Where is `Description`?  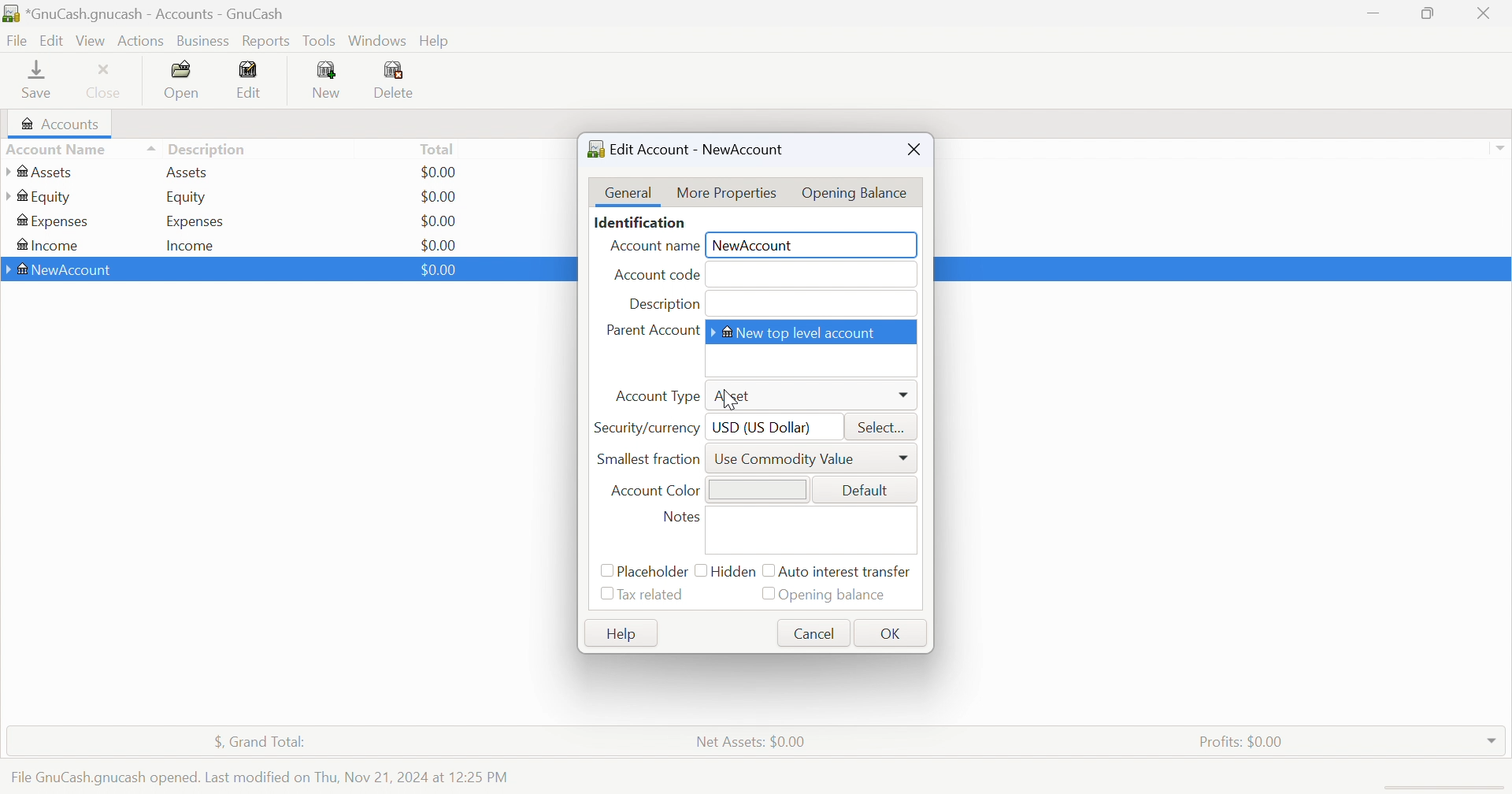 Description is located at coordinates (662, 304).